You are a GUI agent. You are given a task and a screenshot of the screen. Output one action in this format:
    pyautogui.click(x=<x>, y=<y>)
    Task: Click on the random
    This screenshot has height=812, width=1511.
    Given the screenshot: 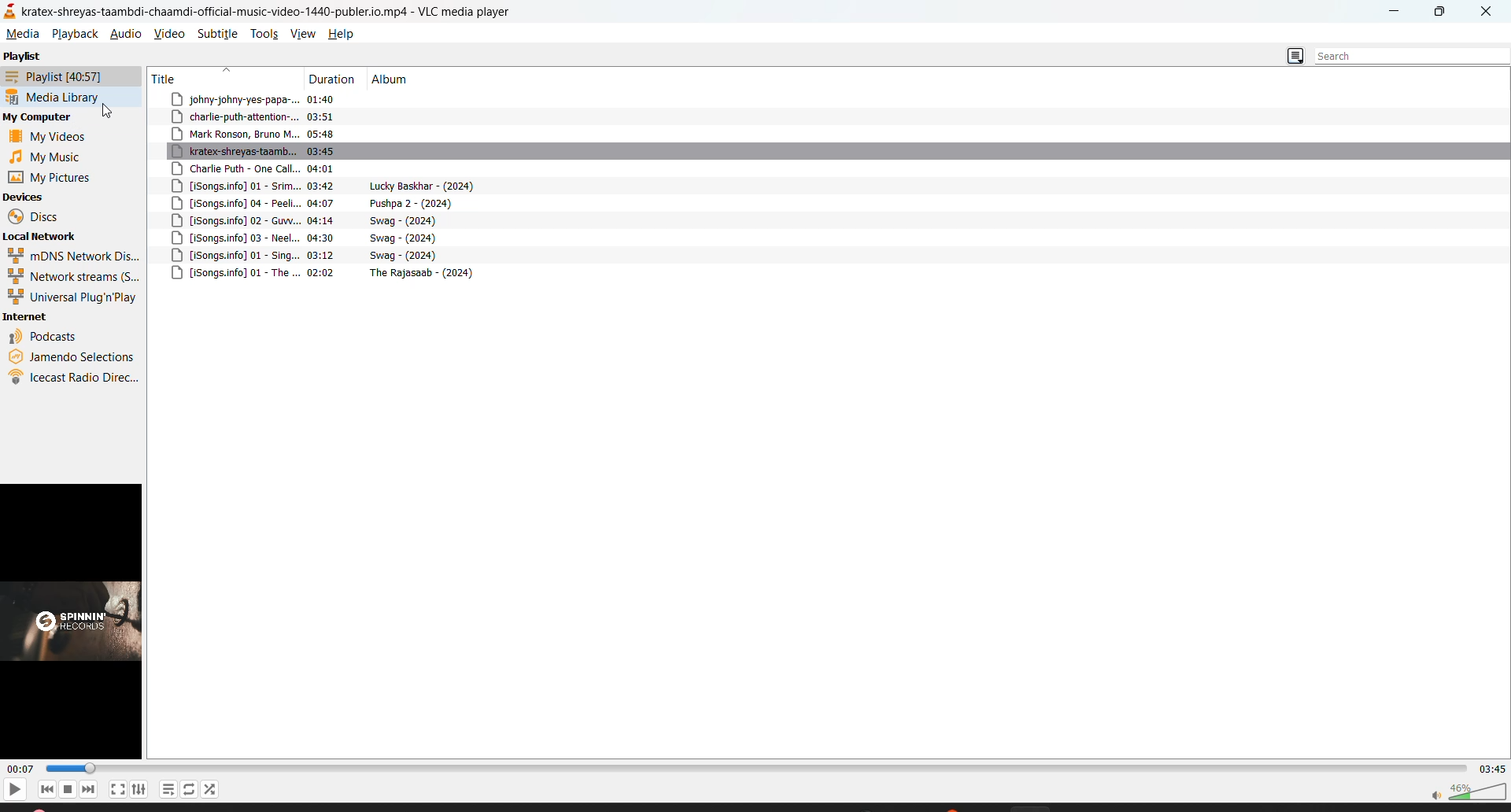 What is the action you would take?
    pyautogui.click(x=208, y=790)
    